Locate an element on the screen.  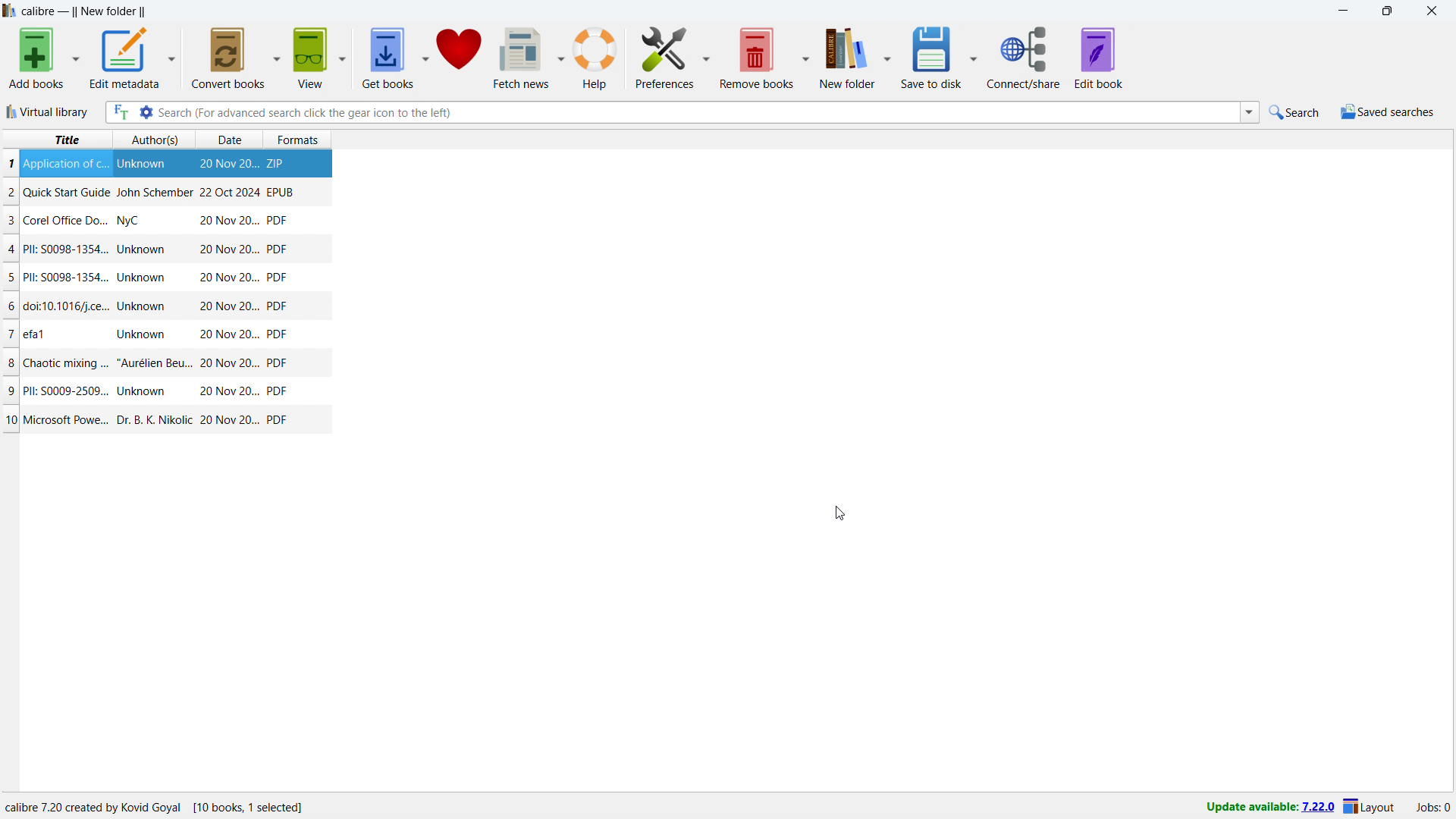
connect/share is located at coordinates (1040, 58).